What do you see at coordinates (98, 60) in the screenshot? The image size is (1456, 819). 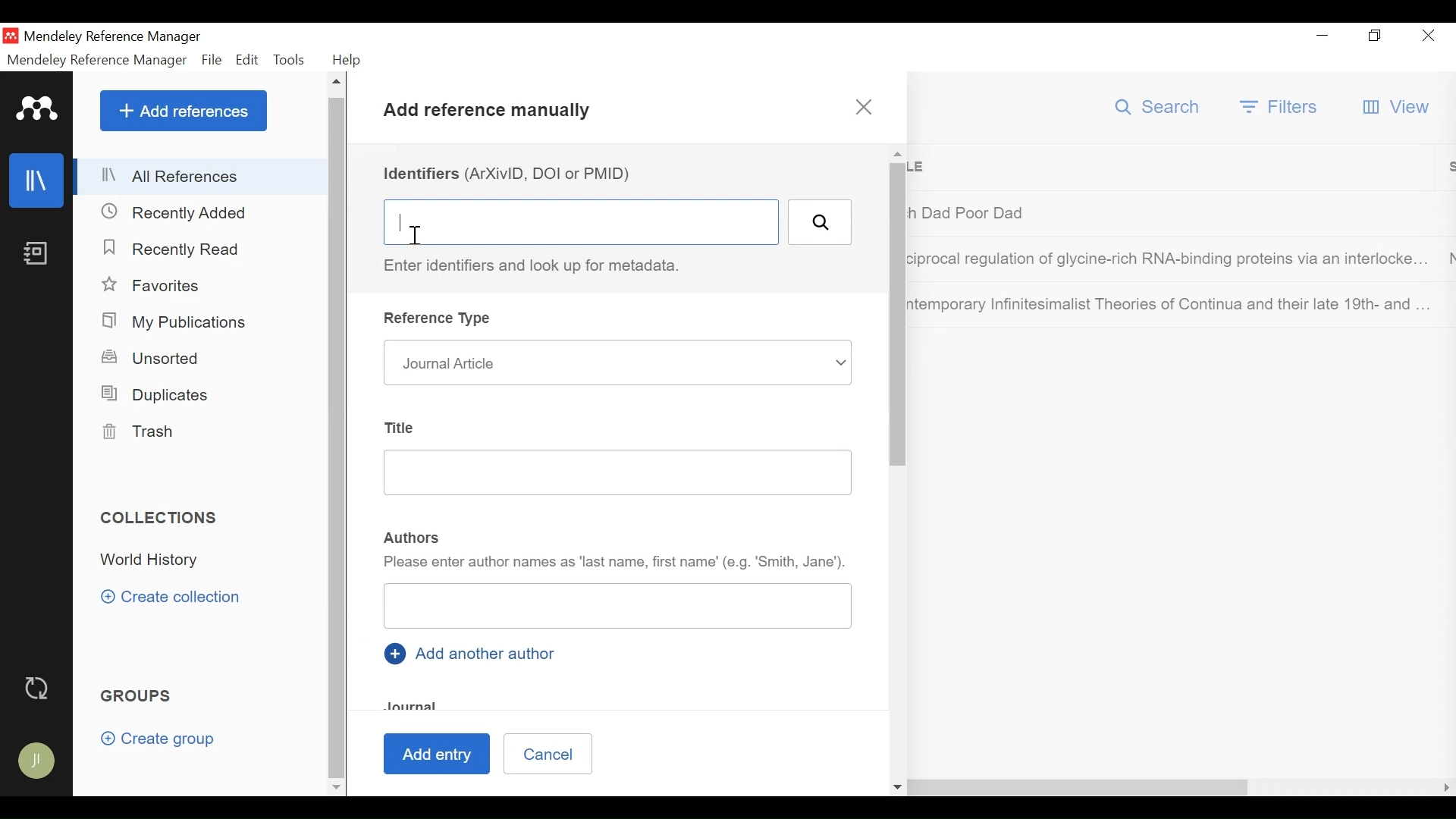 I see `Mendeley Reference Manager` at bounding box center [98, 60].